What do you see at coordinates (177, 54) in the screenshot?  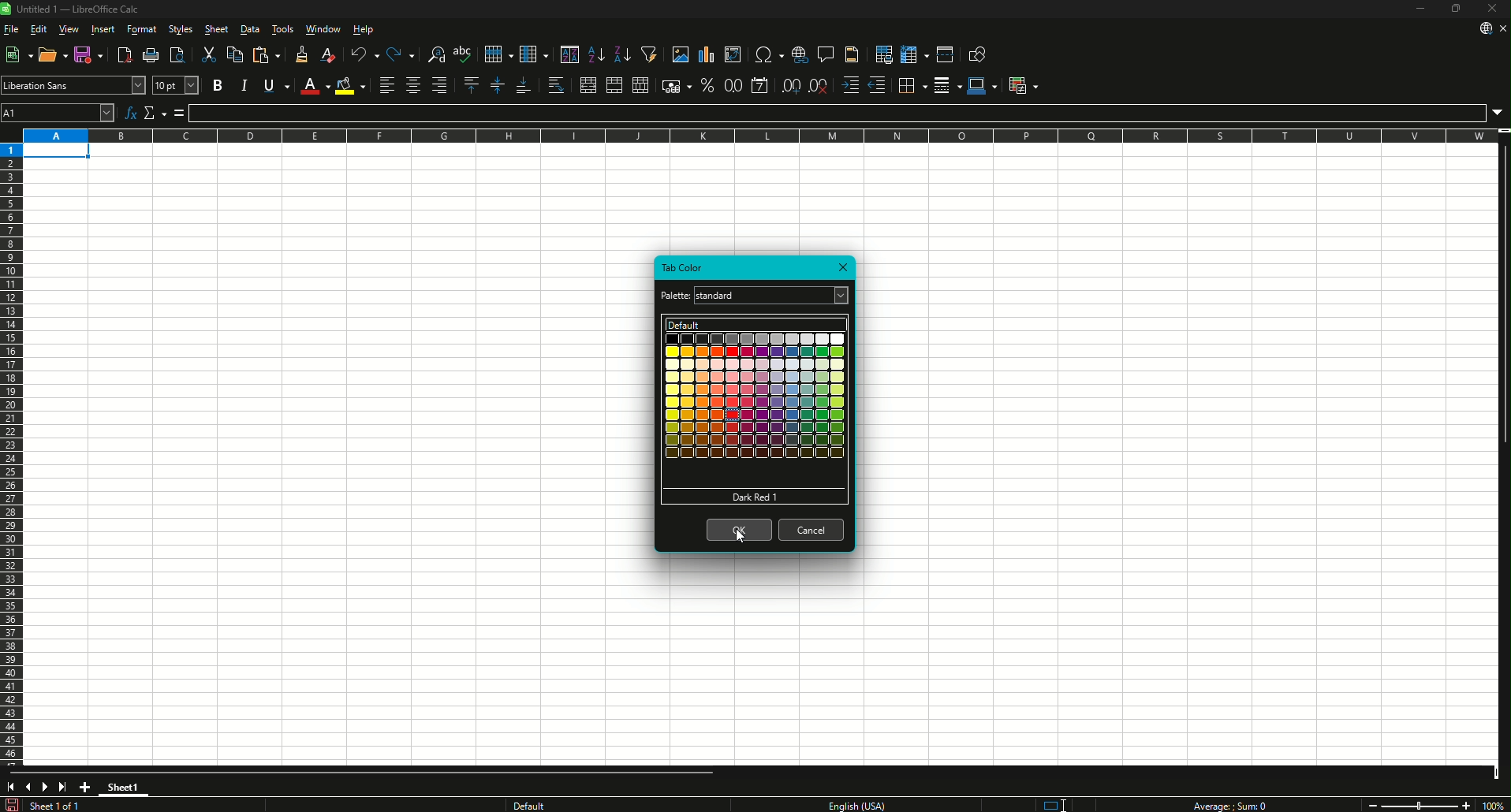 I see `Toggle Print Preview` at bounding box center [177, 54].